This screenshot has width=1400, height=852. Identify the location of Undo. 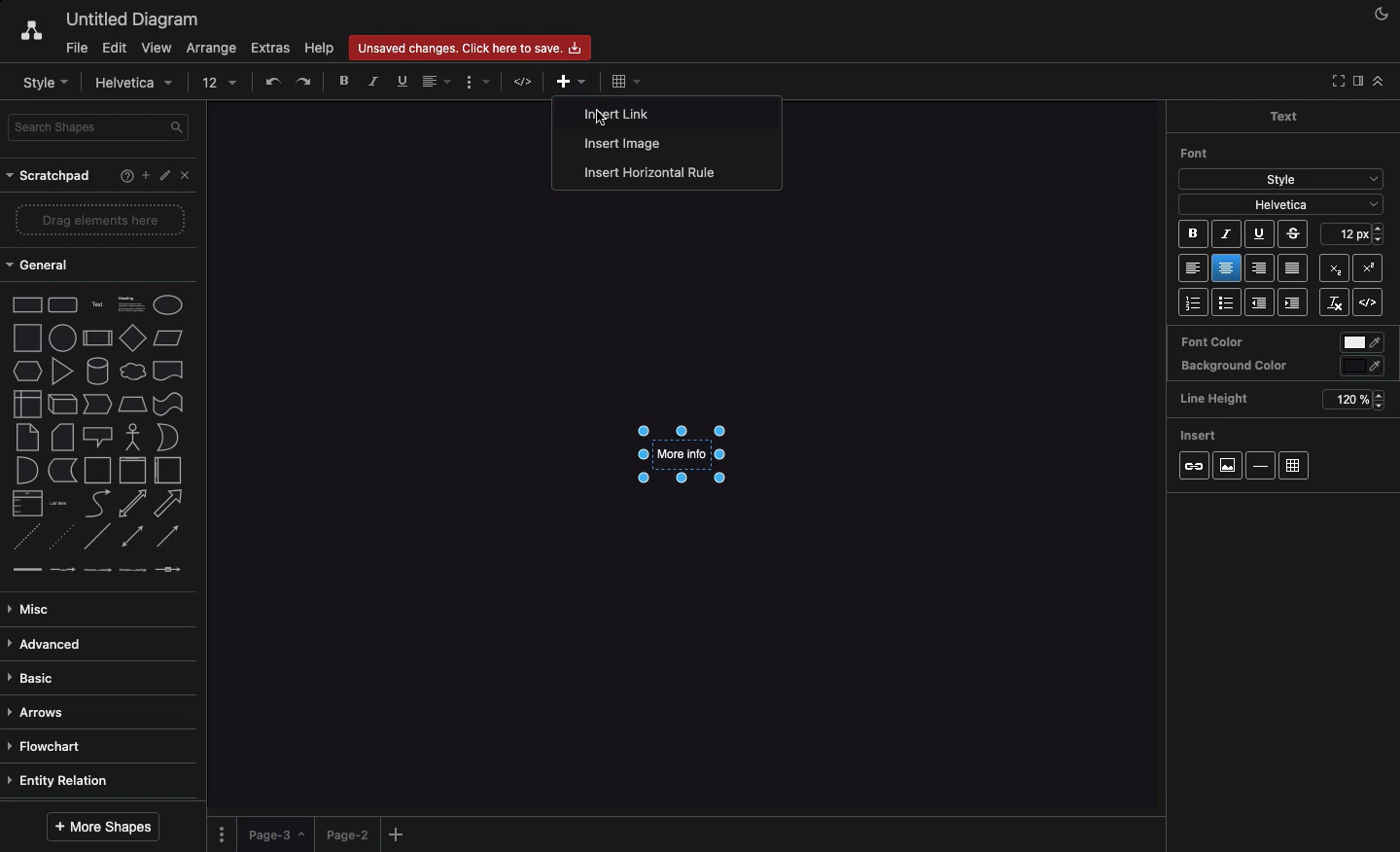
(272, 81).